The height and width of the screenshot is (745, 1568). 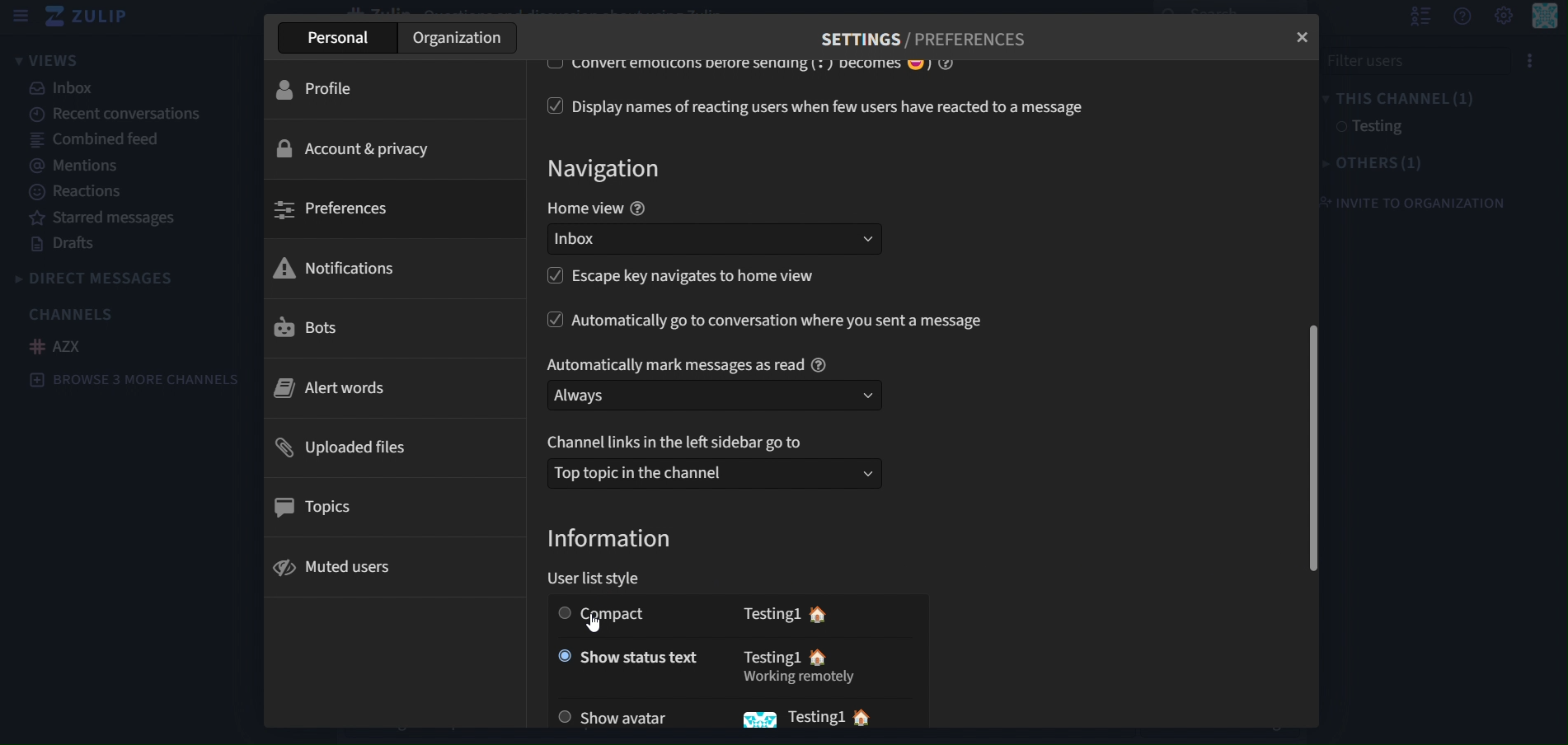 What do you see at coordinates (63, 89) in the screenshot?
I see `inbox` at bounding box center [63, 89].